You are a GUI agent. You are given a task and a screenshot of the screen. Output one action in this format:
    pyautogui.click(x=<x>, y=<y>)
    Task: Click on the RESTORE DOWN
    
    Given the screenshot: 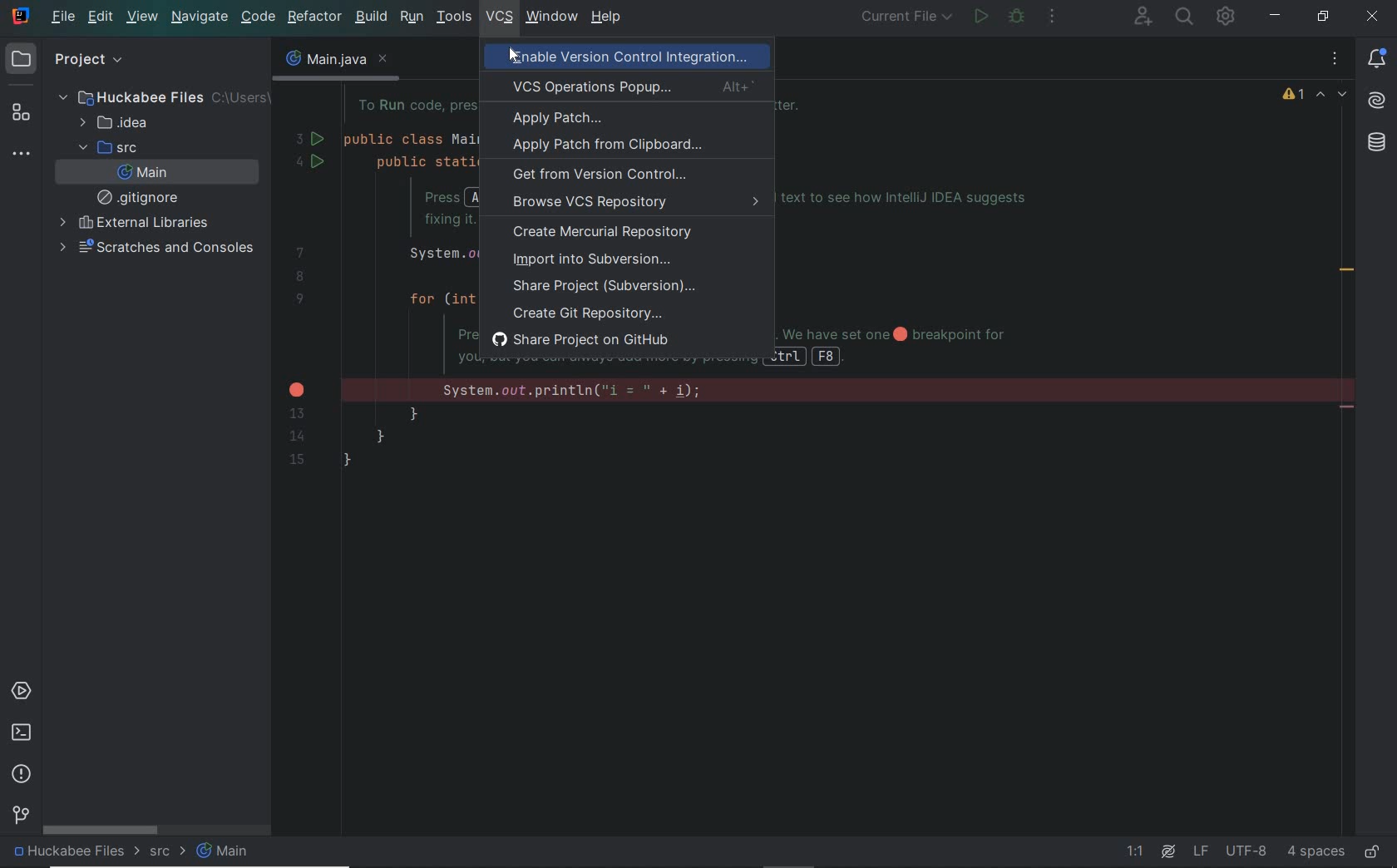 What is the action you would take?
    pyautogui.click(x=1319, y=16)
    